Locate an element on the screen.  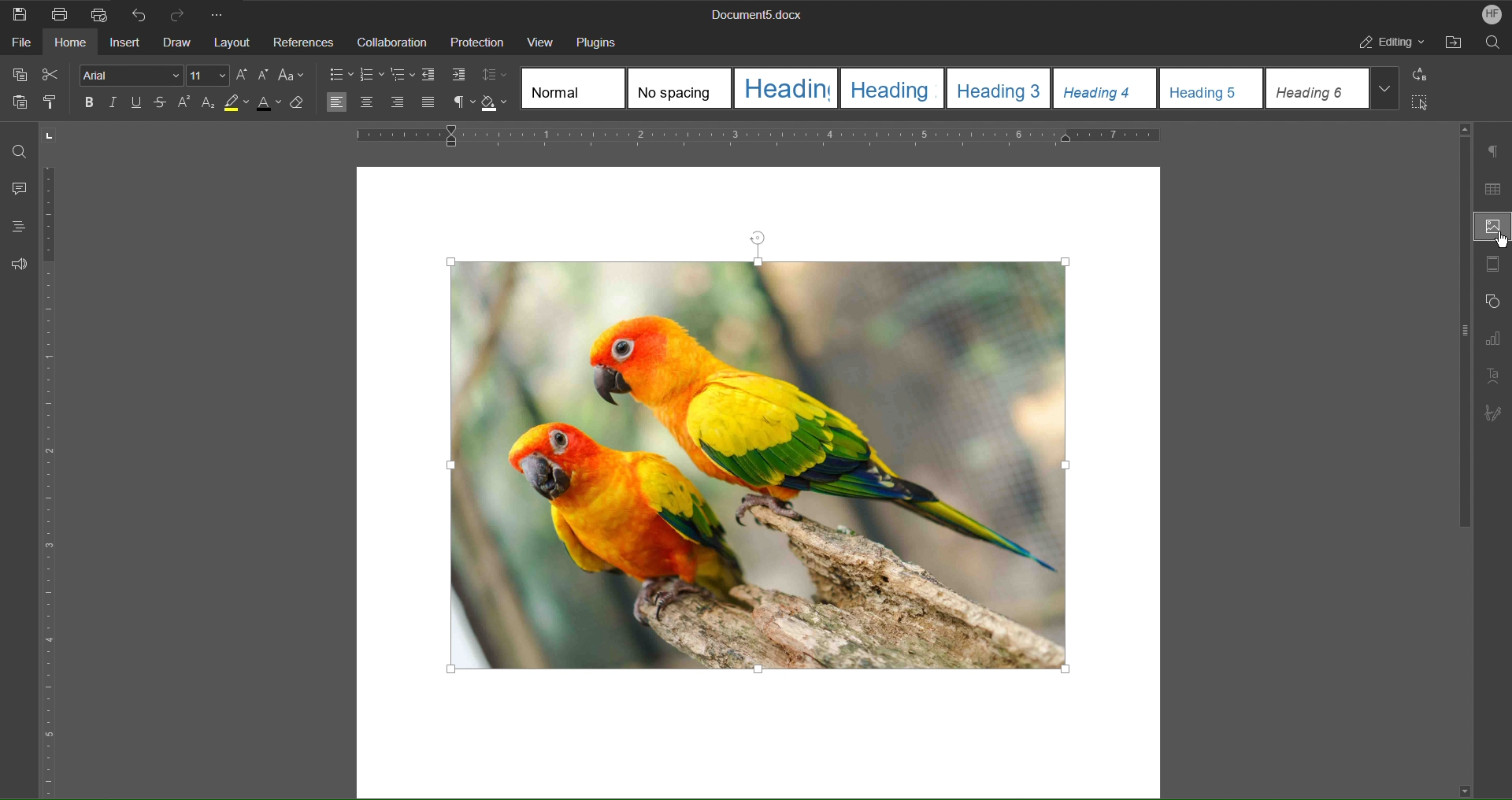
Draw is located at coordinates (179, 43).